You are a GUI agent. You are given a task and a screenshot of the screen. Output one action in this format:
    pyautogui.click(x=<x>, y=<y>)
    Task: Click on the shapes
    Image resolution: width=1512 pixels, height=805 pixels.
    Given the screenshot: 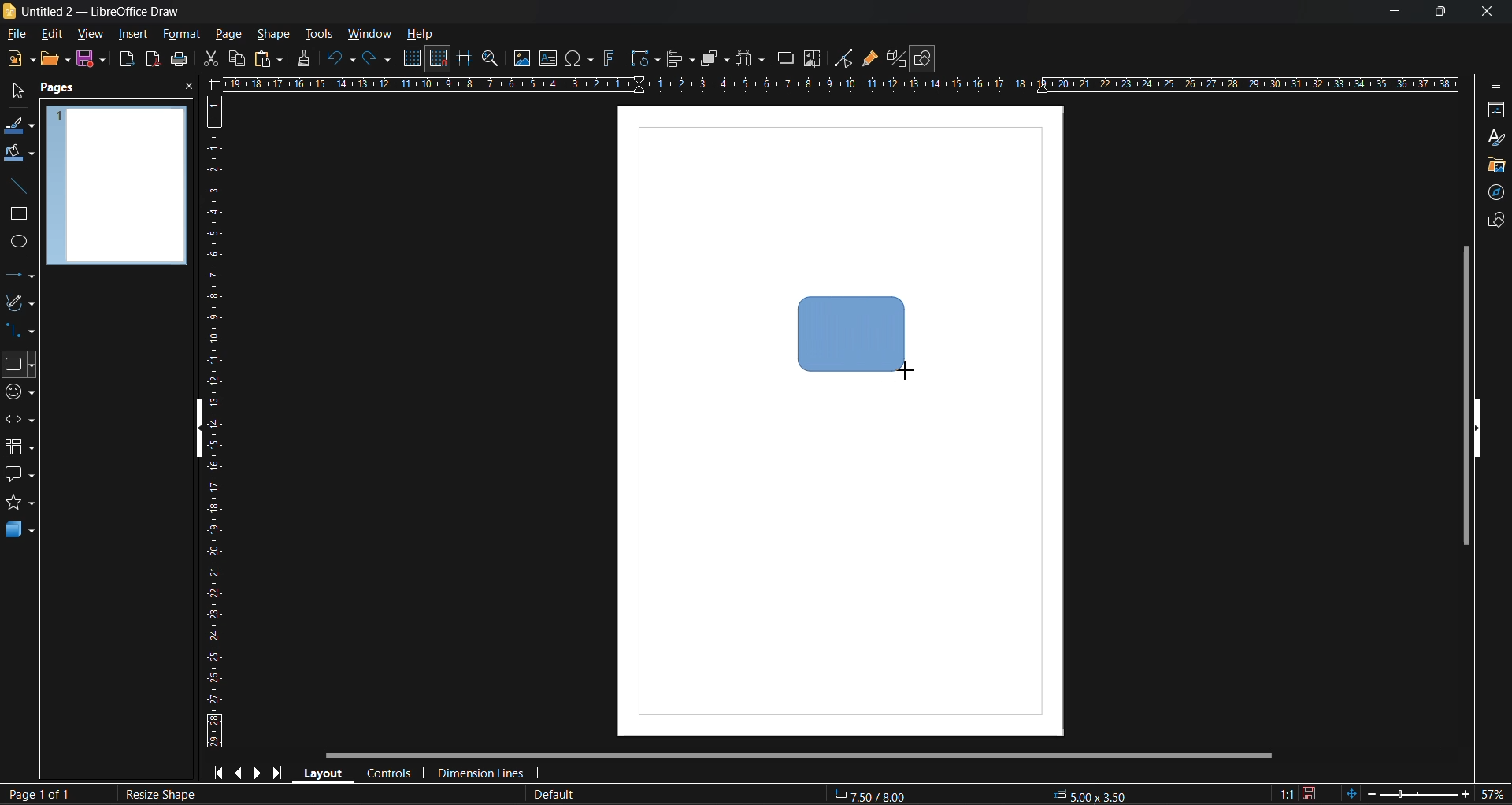 What is the action you would take?
    pyautogui.click(x=1494, y=220)
    